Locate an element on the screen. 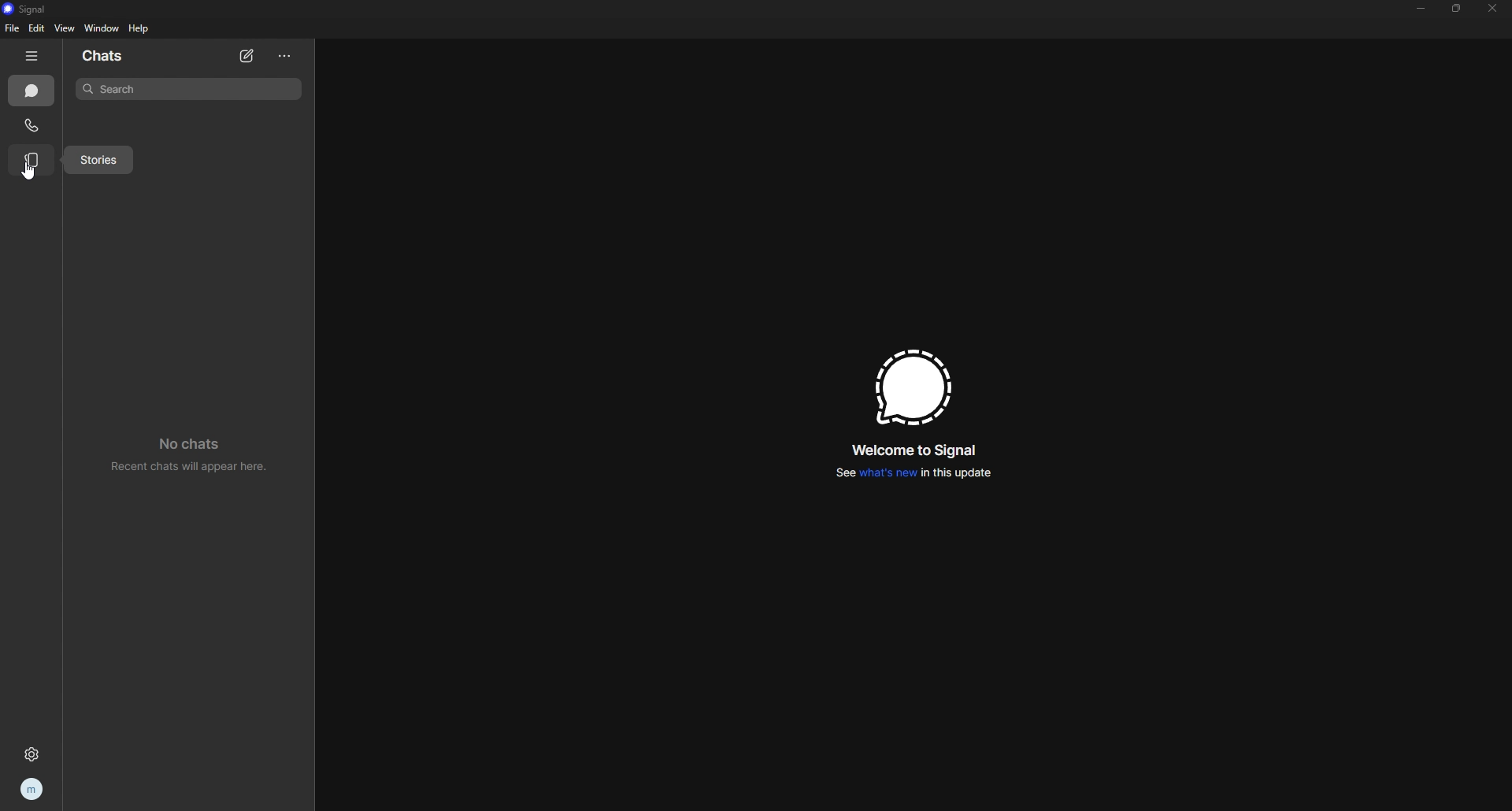 Image resolution: width=1512 pixels, height=811 pixels. resize is located at coordinates (1458, 8).